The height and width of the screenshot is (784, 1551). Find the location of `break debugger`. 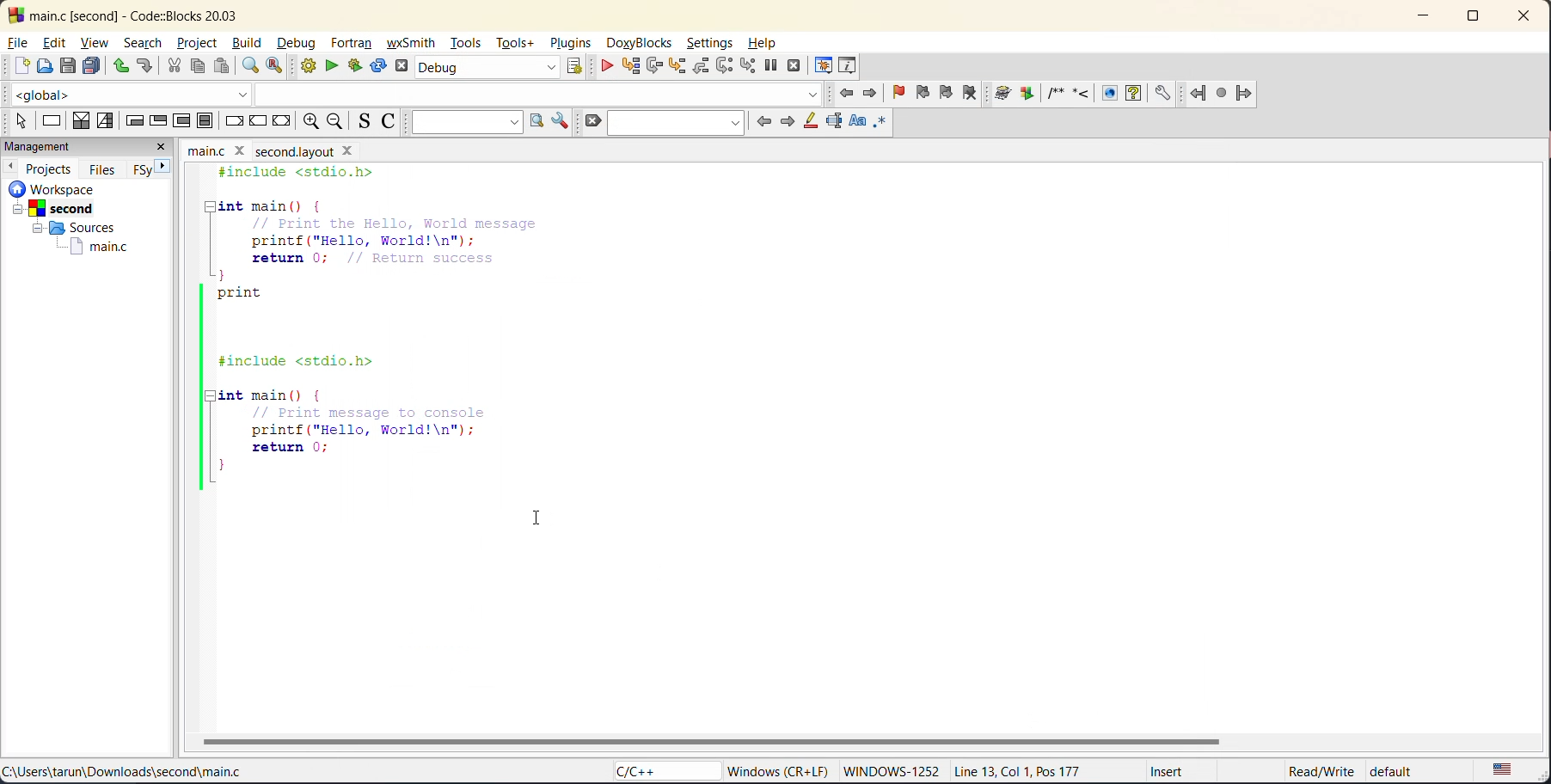

break debugger is located at coordinates (769, 65).